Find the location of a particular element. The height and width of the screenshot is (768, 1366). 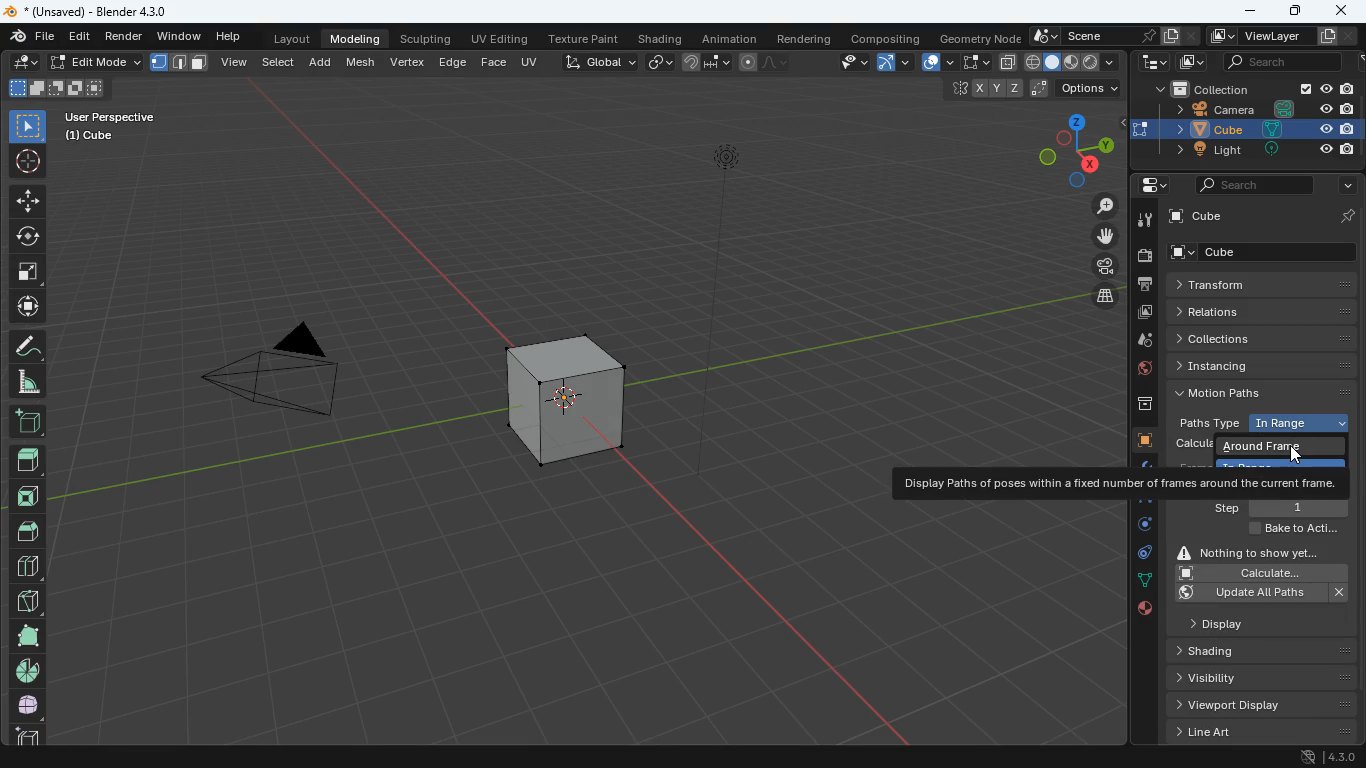

search is located at coordinates (1274, 63).